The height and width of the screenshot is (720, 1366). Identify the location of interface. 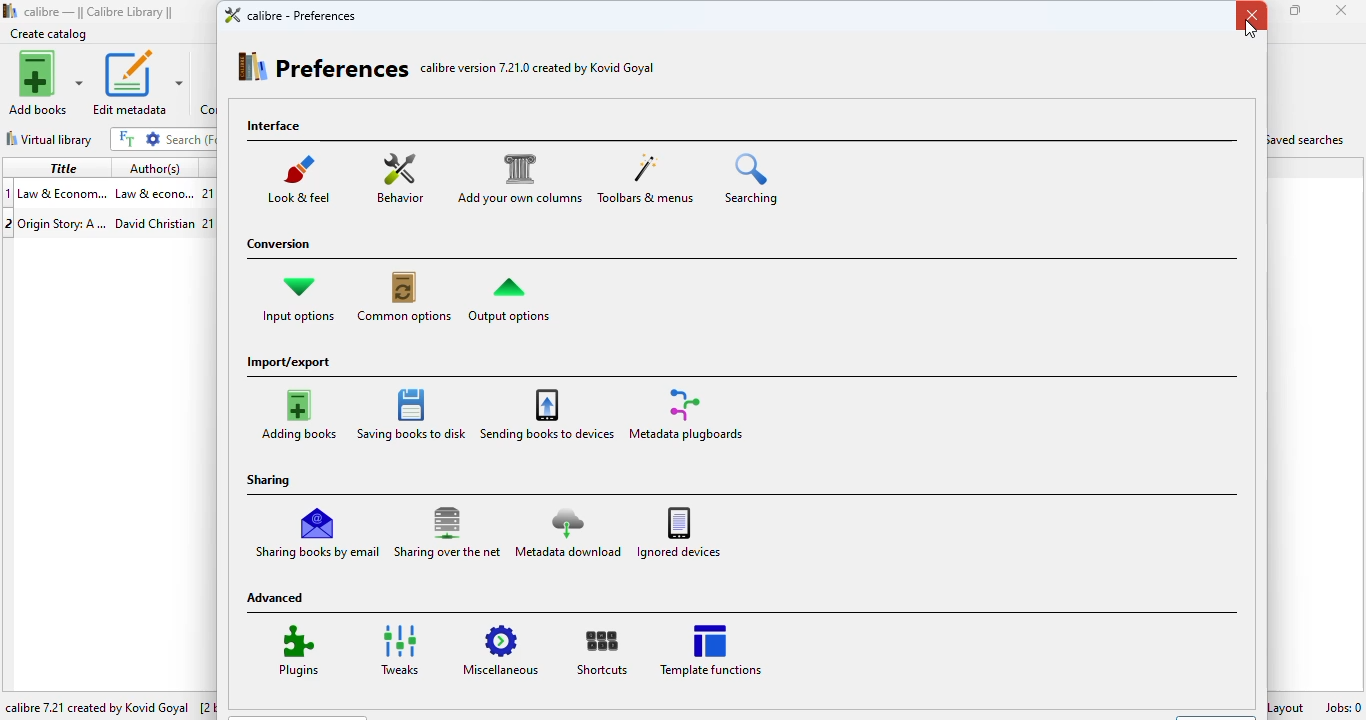
(276, 127).